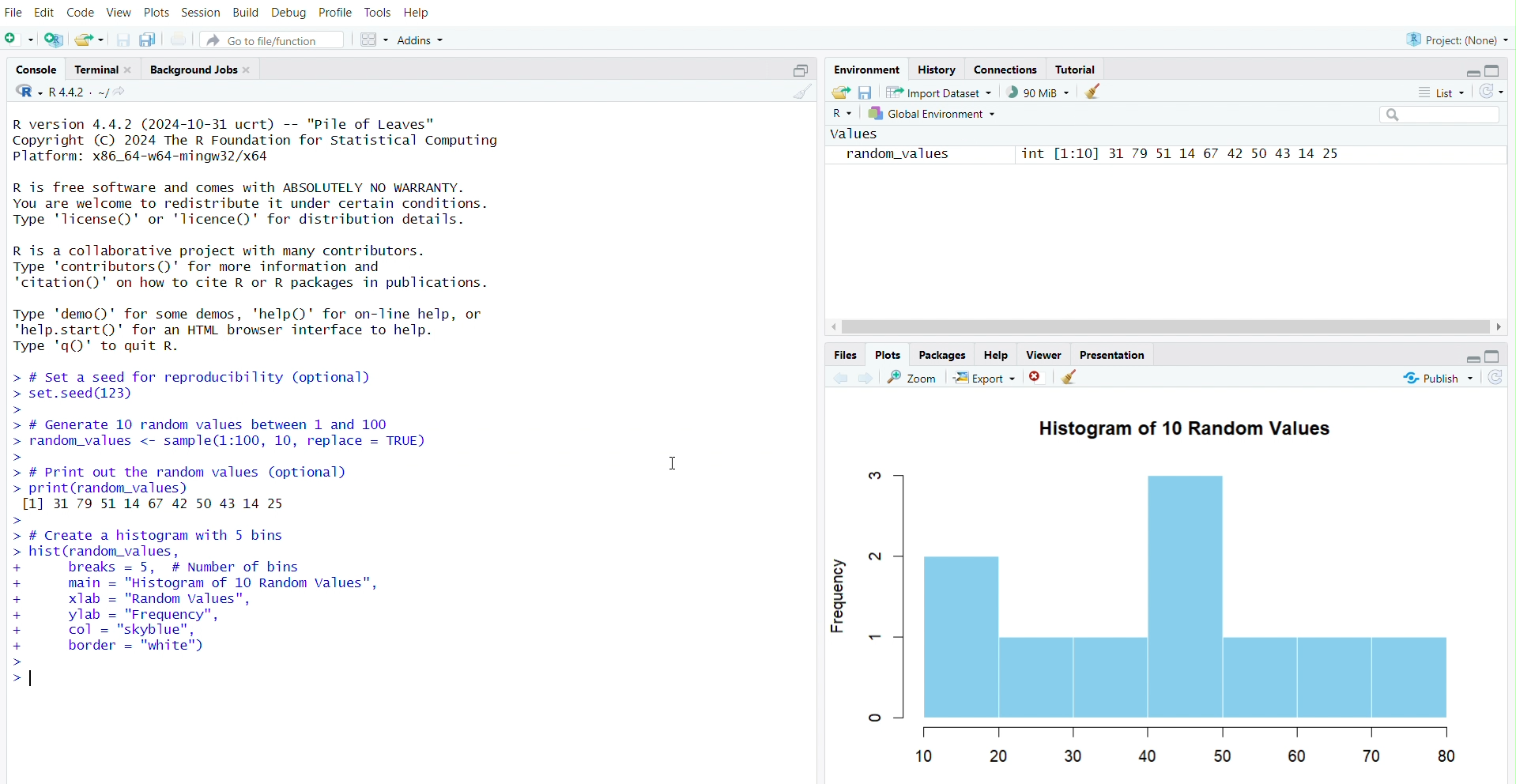  I want to click on remove the current plot, so click(1038, 379).